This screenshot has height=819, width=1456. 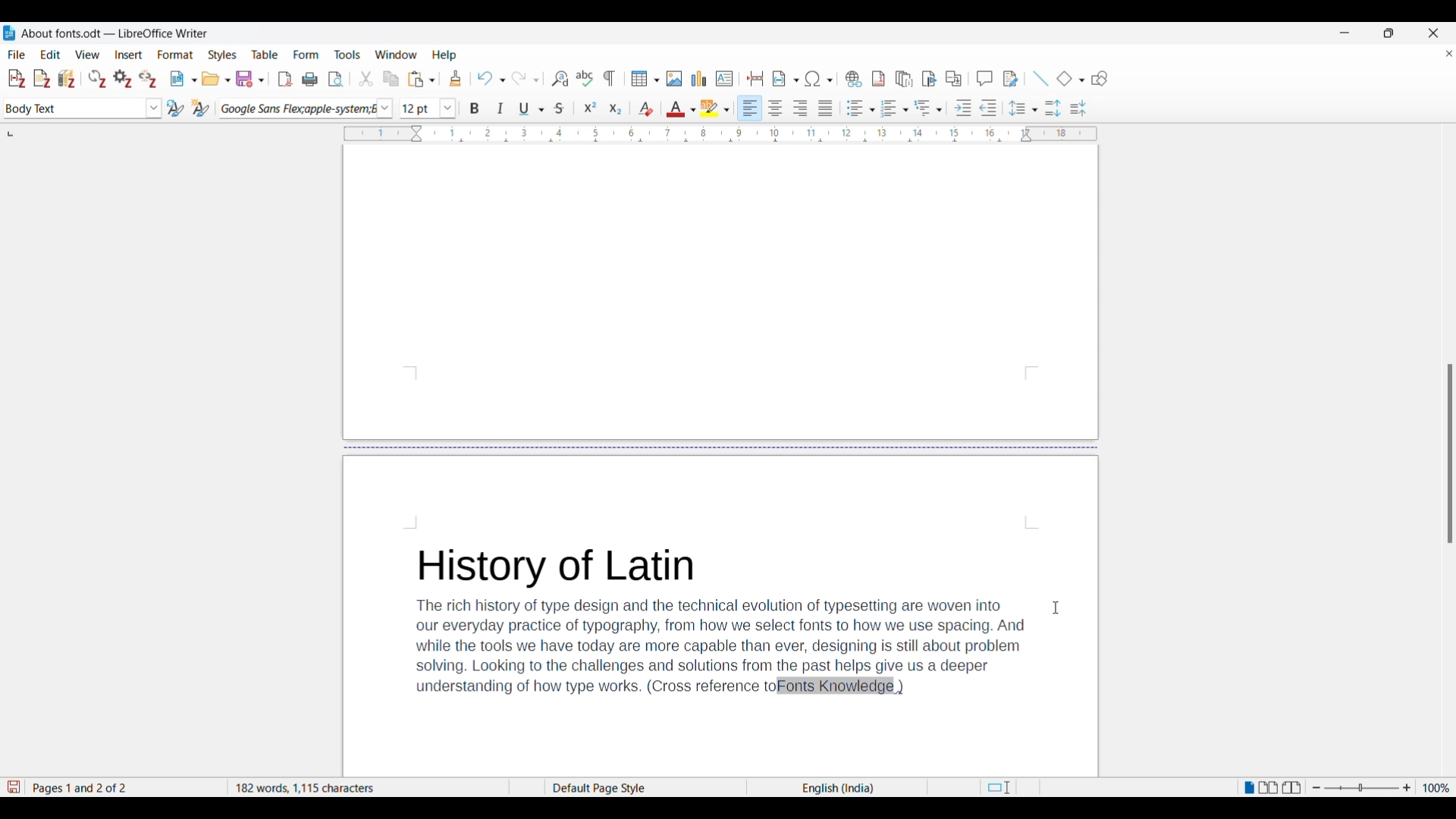 What do you see at coordinates (775, 107) in the screenshot?
I see `Align center` at bounding box center [775, 107].